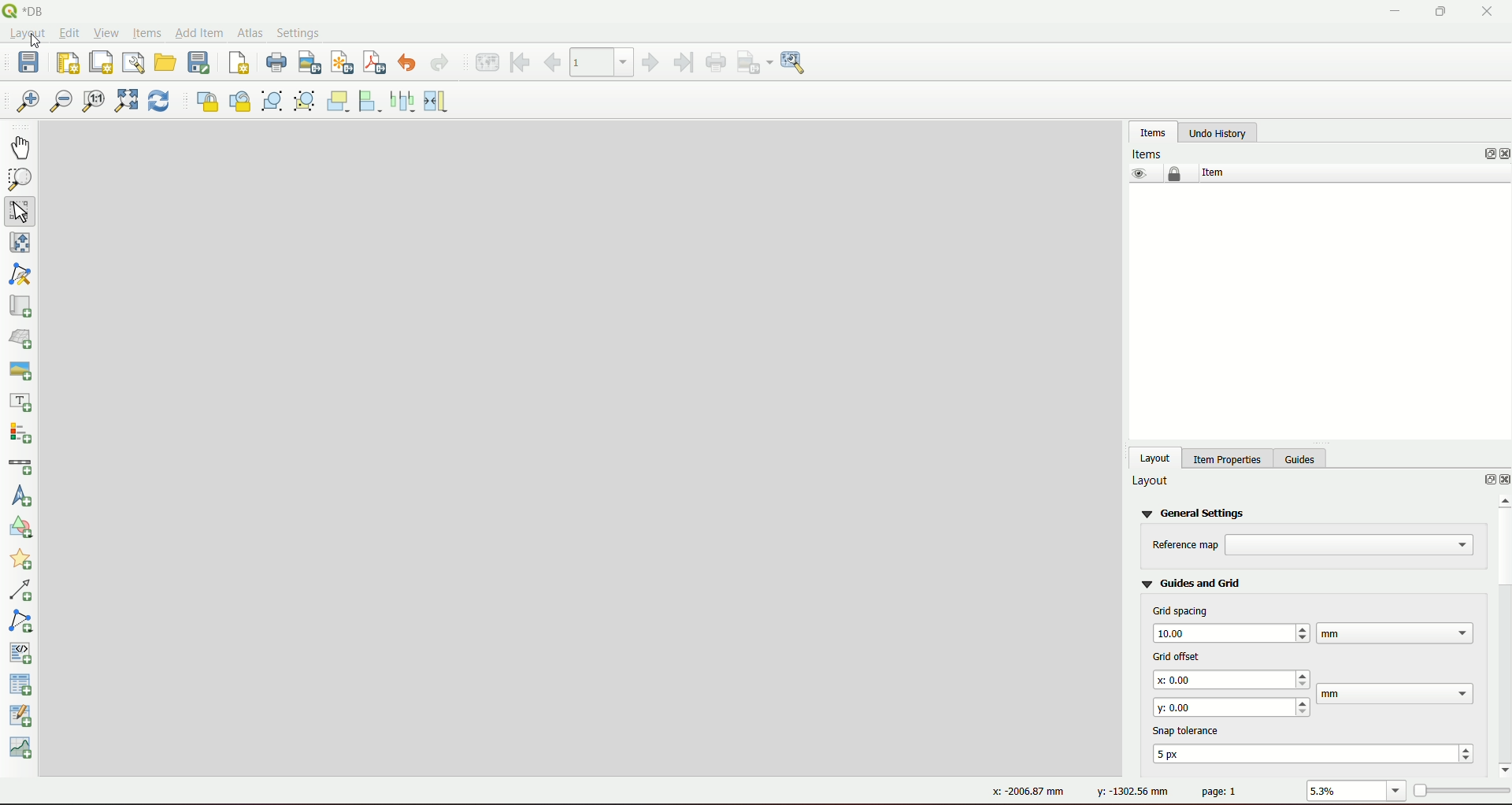 This screenshot has width=1512, height=805. Describe the element at coordinates (20, 245) in the screenshot. I see `move item content` at that location.